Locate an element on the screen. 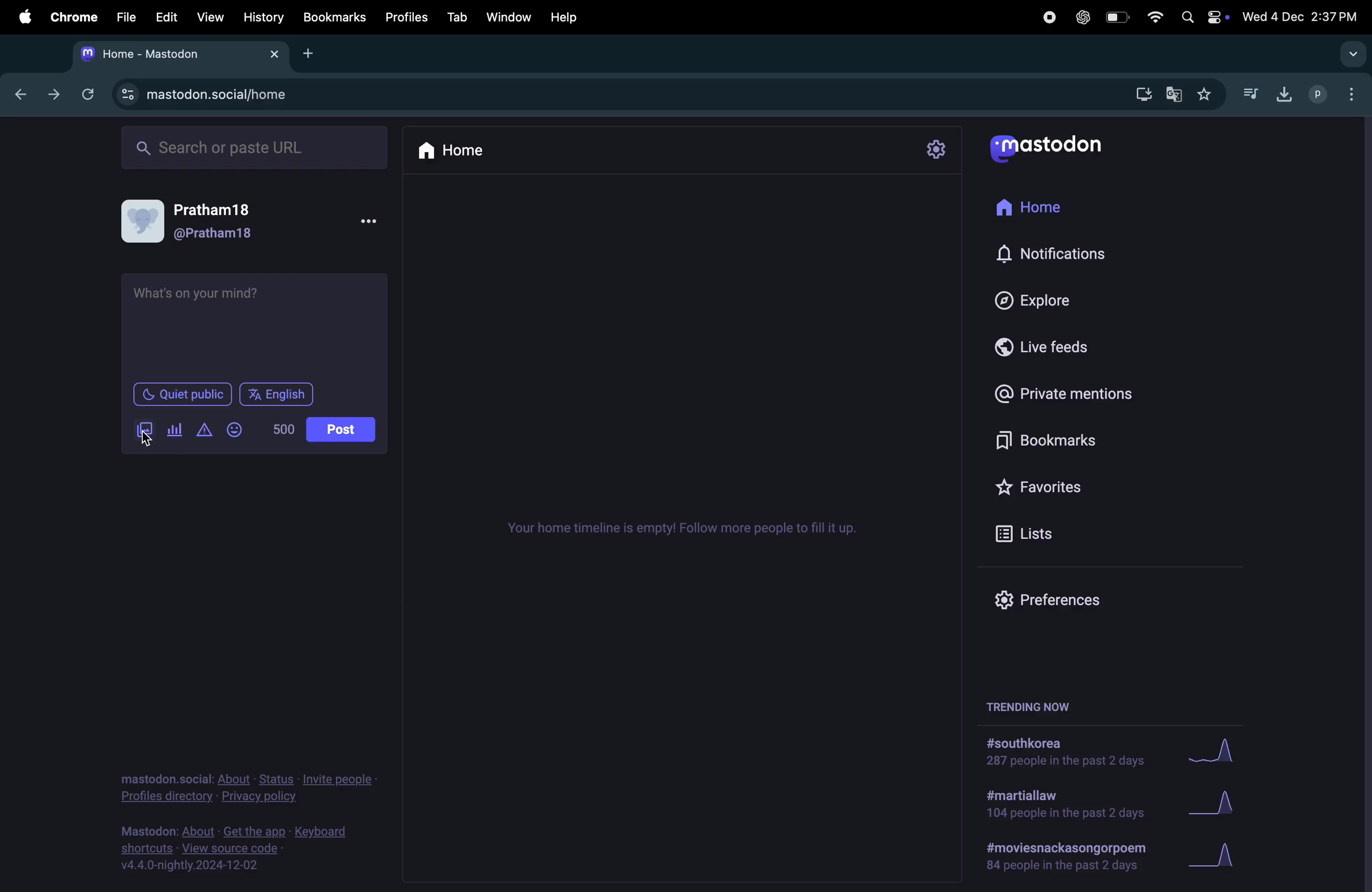 Image resolution: width=1372 pixels, height=892 pixels. lists is located at coordinates (1034, 532).